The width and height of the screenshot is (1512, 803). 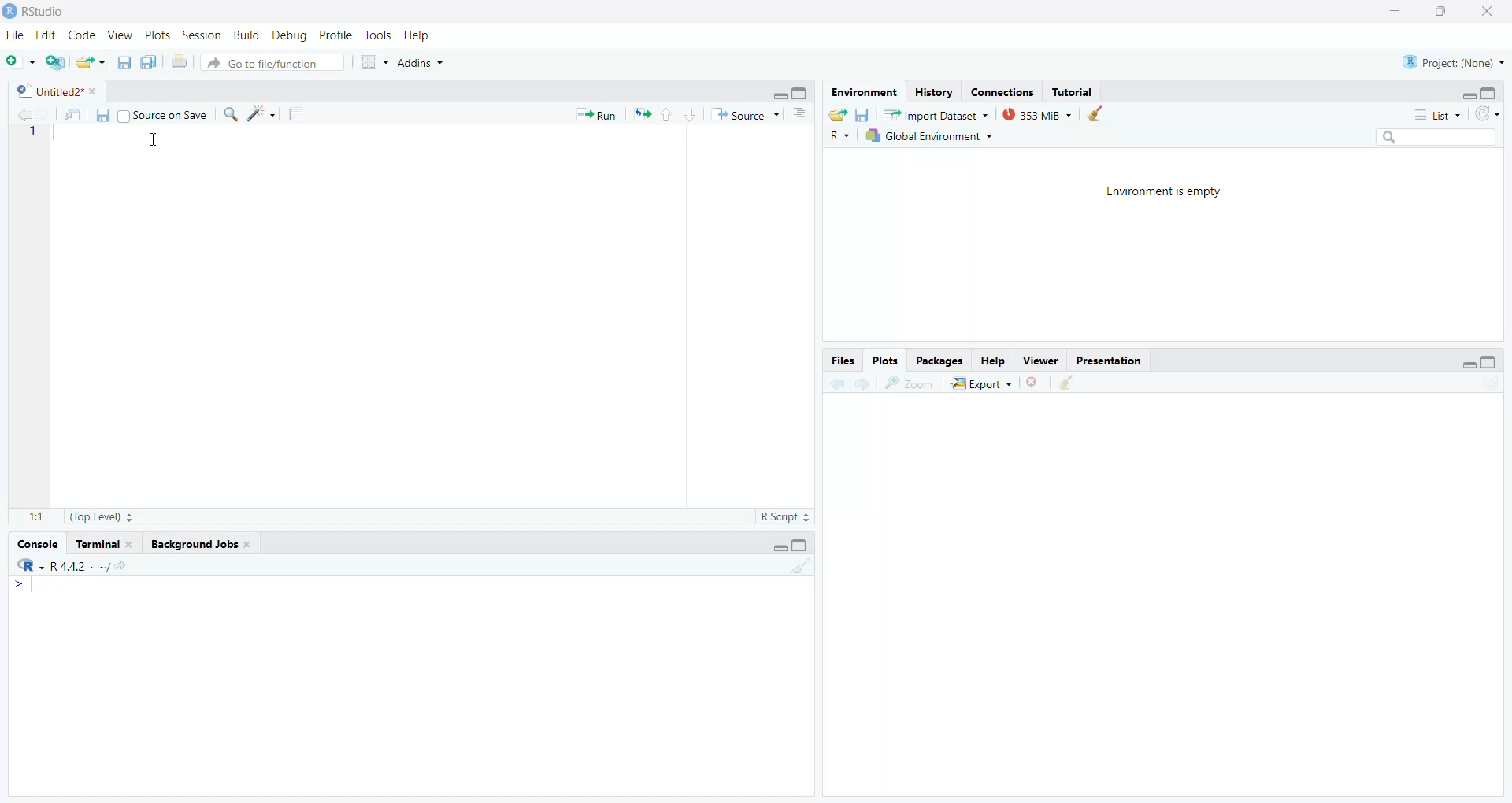 What do you see at coordinates (35, 546) in the screenshot?
I see `Console` at bounding box center [35, 546].